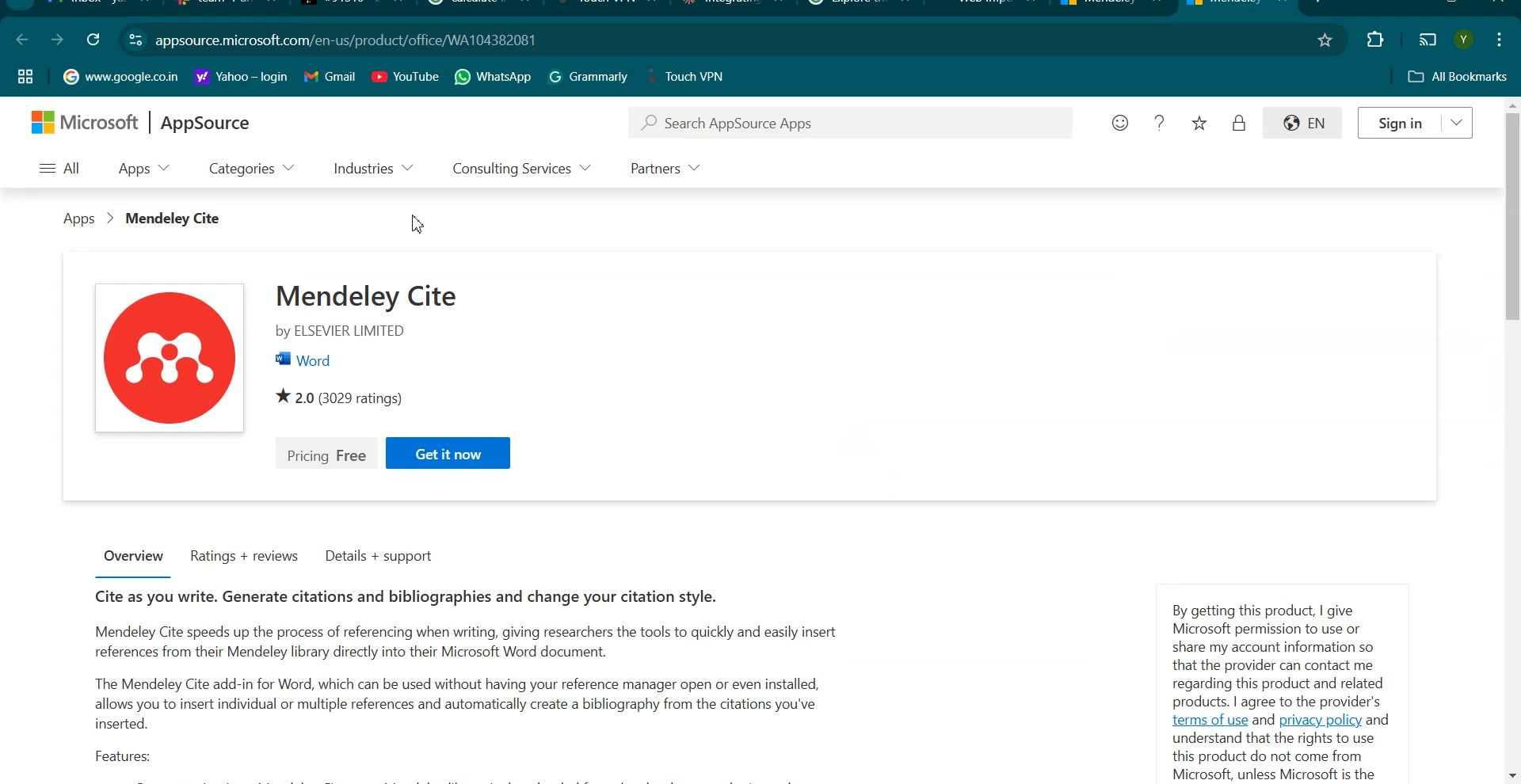  I want to click on Rating + Review, so click(244, 557).